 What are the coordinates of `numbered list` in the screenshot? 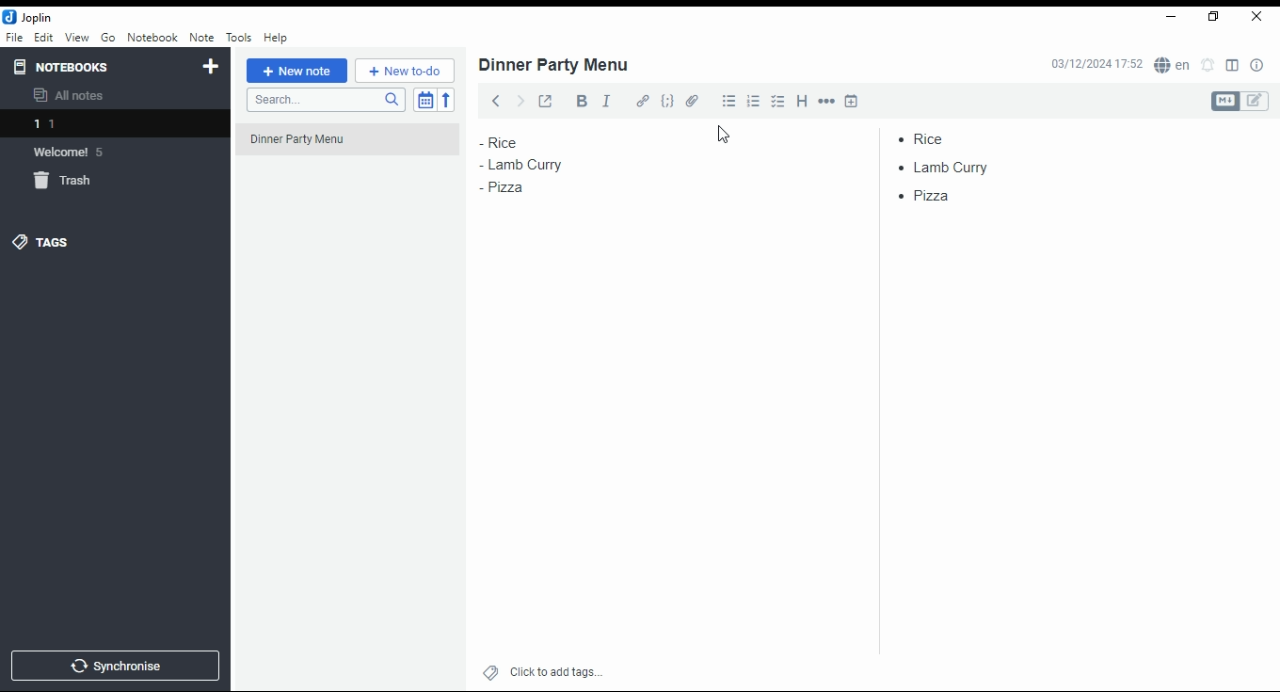 It's located at (756, 101).